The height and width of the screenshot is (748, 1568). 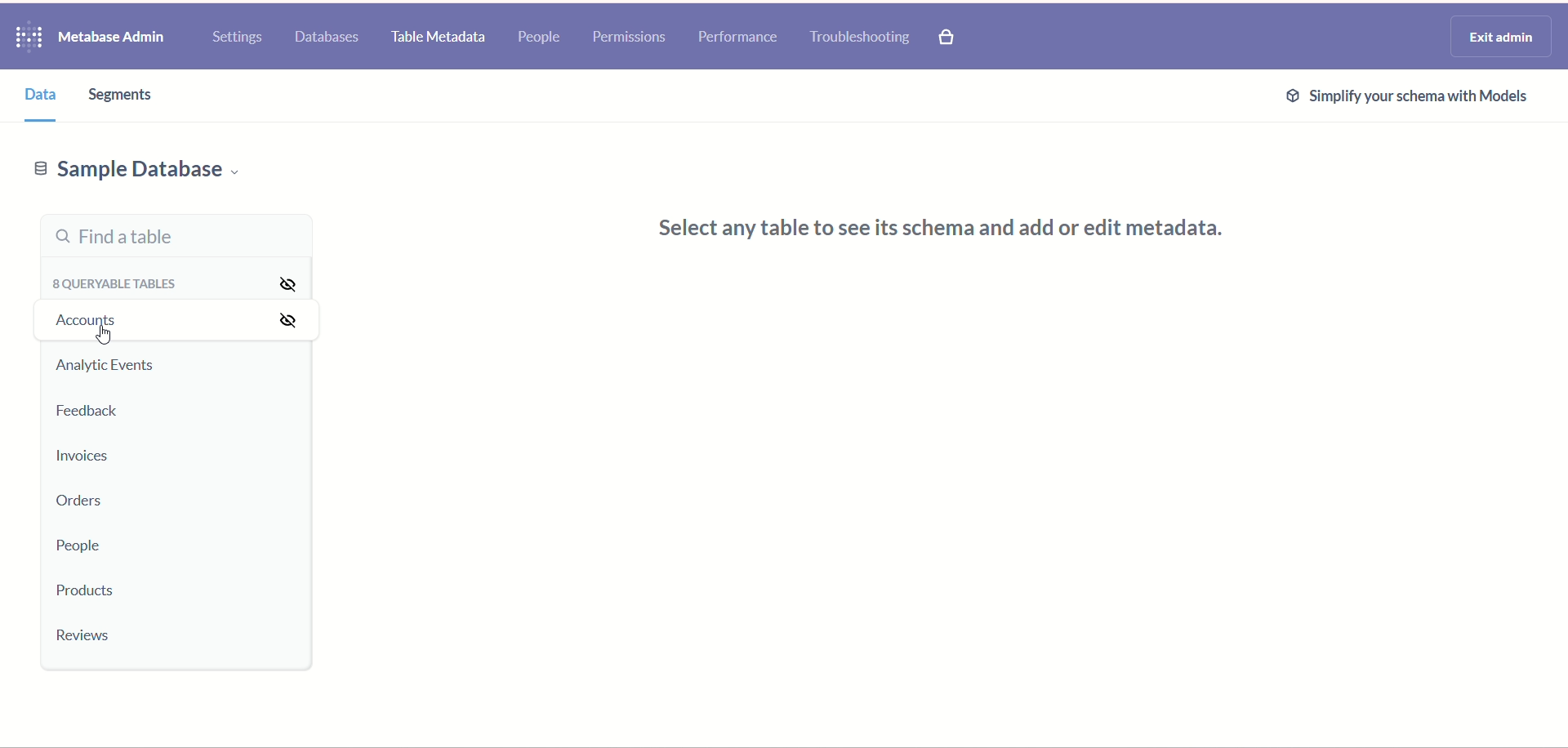 I want to click on ccounts, so click(x=89, y=323).